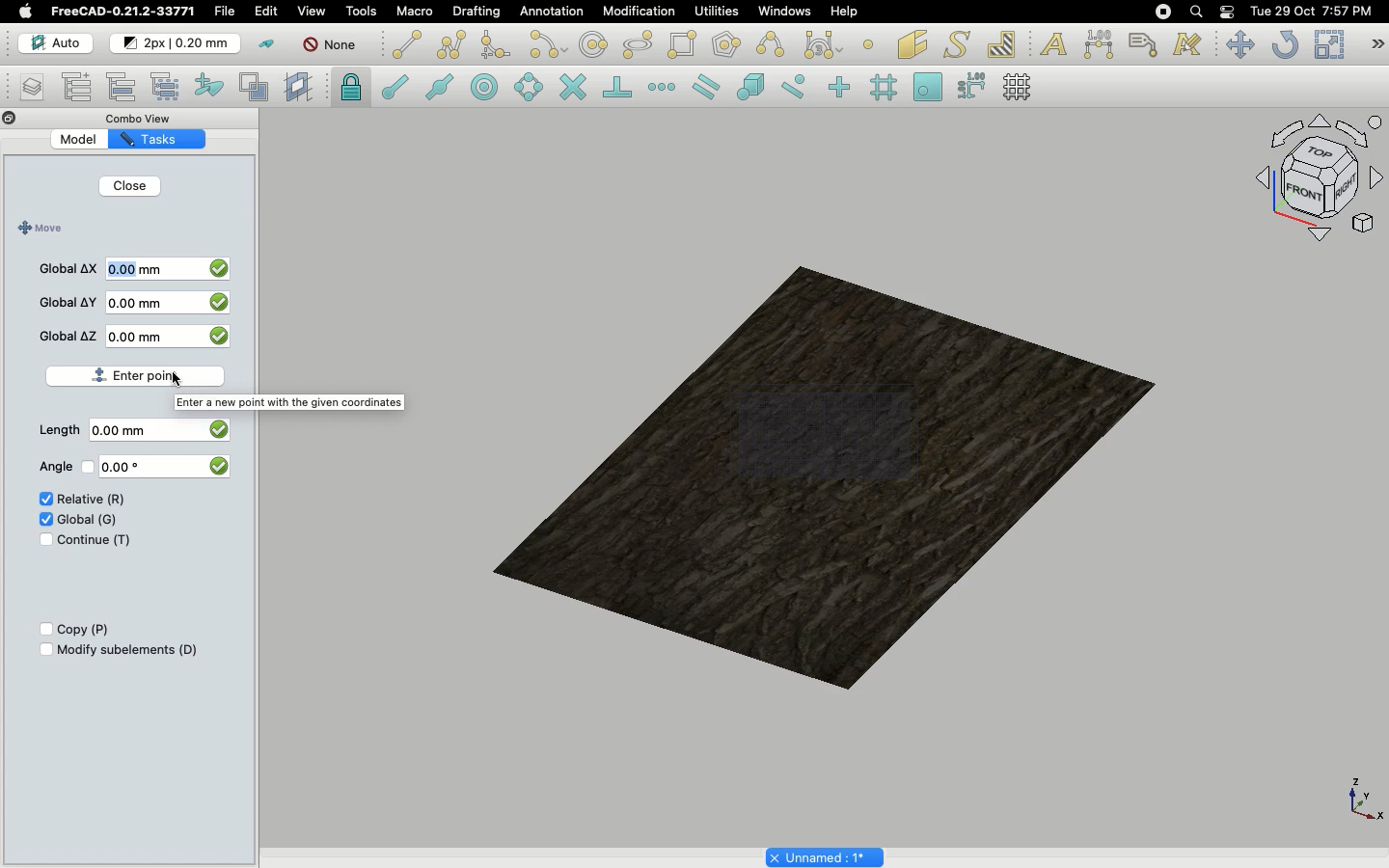  I want to click on Create working plane proxy, so click(301, 88).